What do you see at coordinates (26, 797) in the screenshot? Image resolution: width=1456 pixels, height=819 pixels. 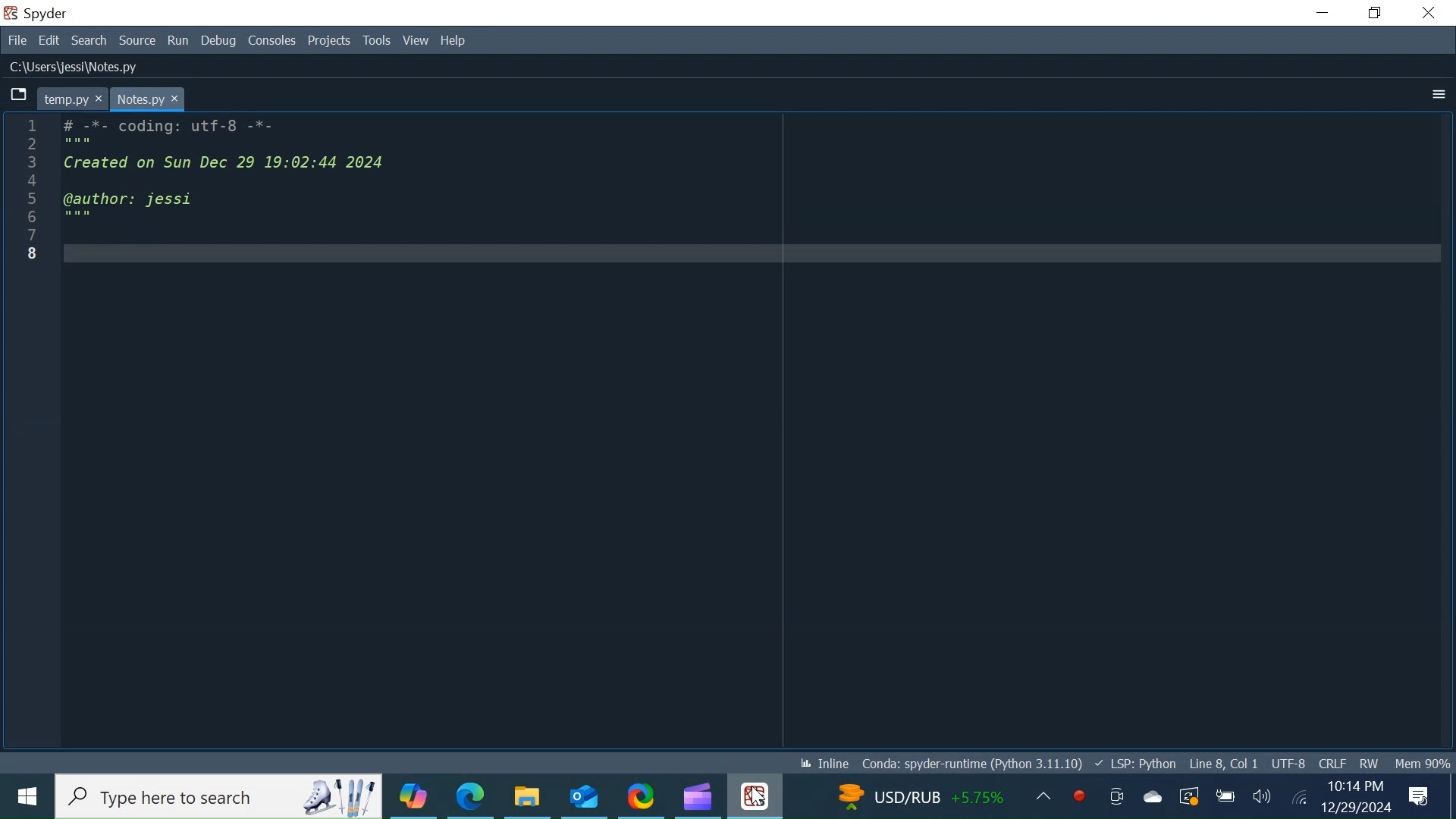 I see `Windows` at bounding box center [26, 797].